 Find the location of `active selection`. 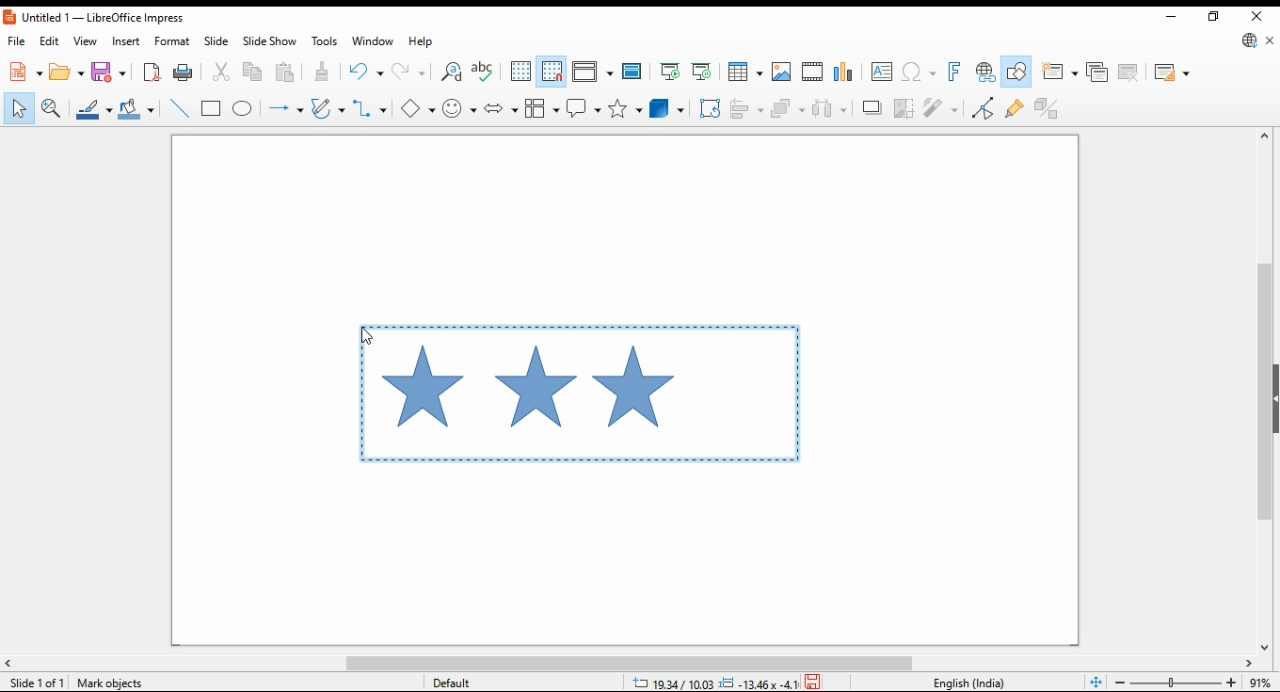

active selection is located at coordinates (576, 397).